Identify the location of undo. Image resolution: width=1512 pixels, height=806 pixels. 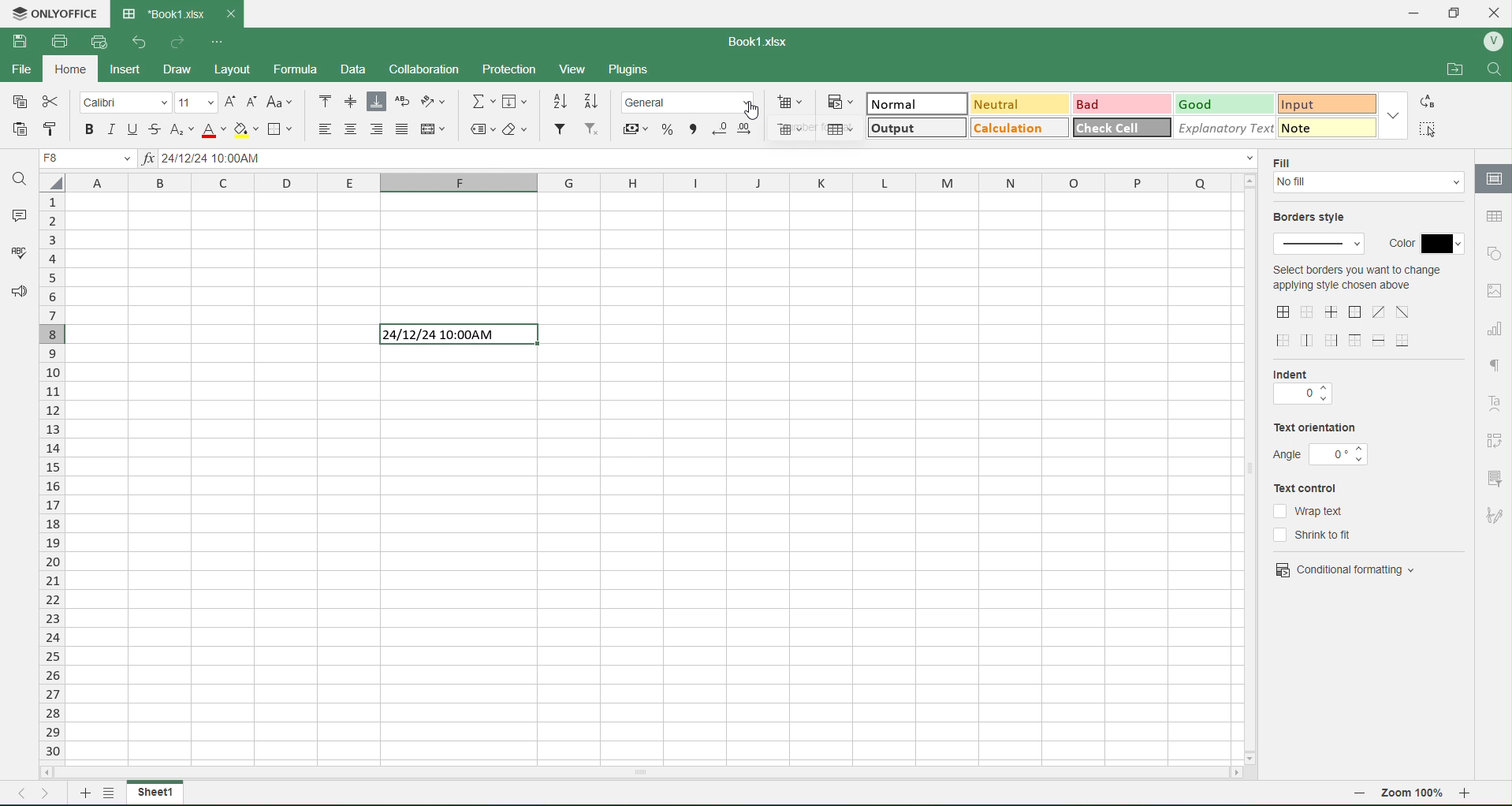
(135, 42).